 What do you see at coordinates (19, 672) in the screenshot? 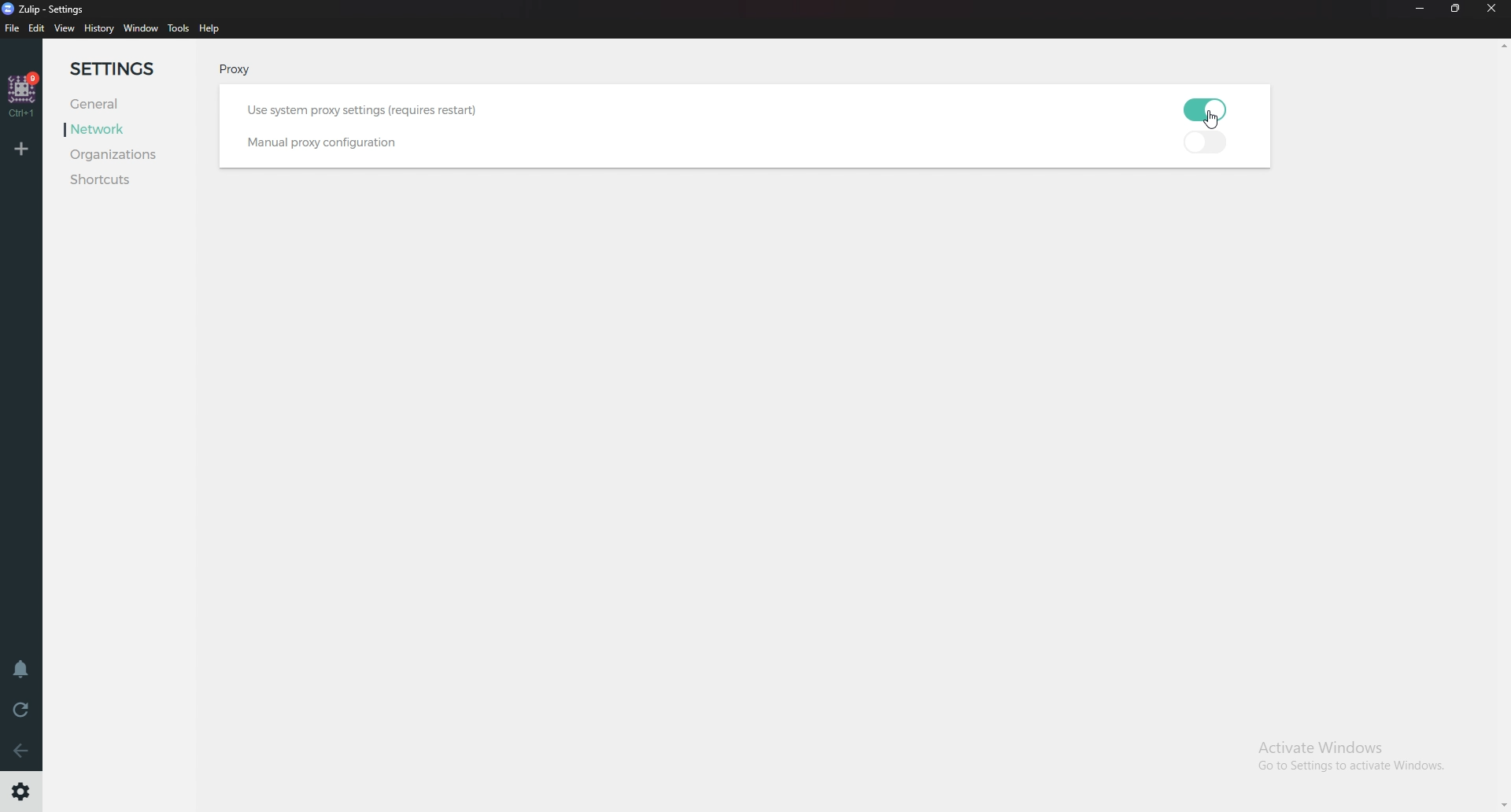
I see `Enable do not disturb` at bounding box center [19, 672].